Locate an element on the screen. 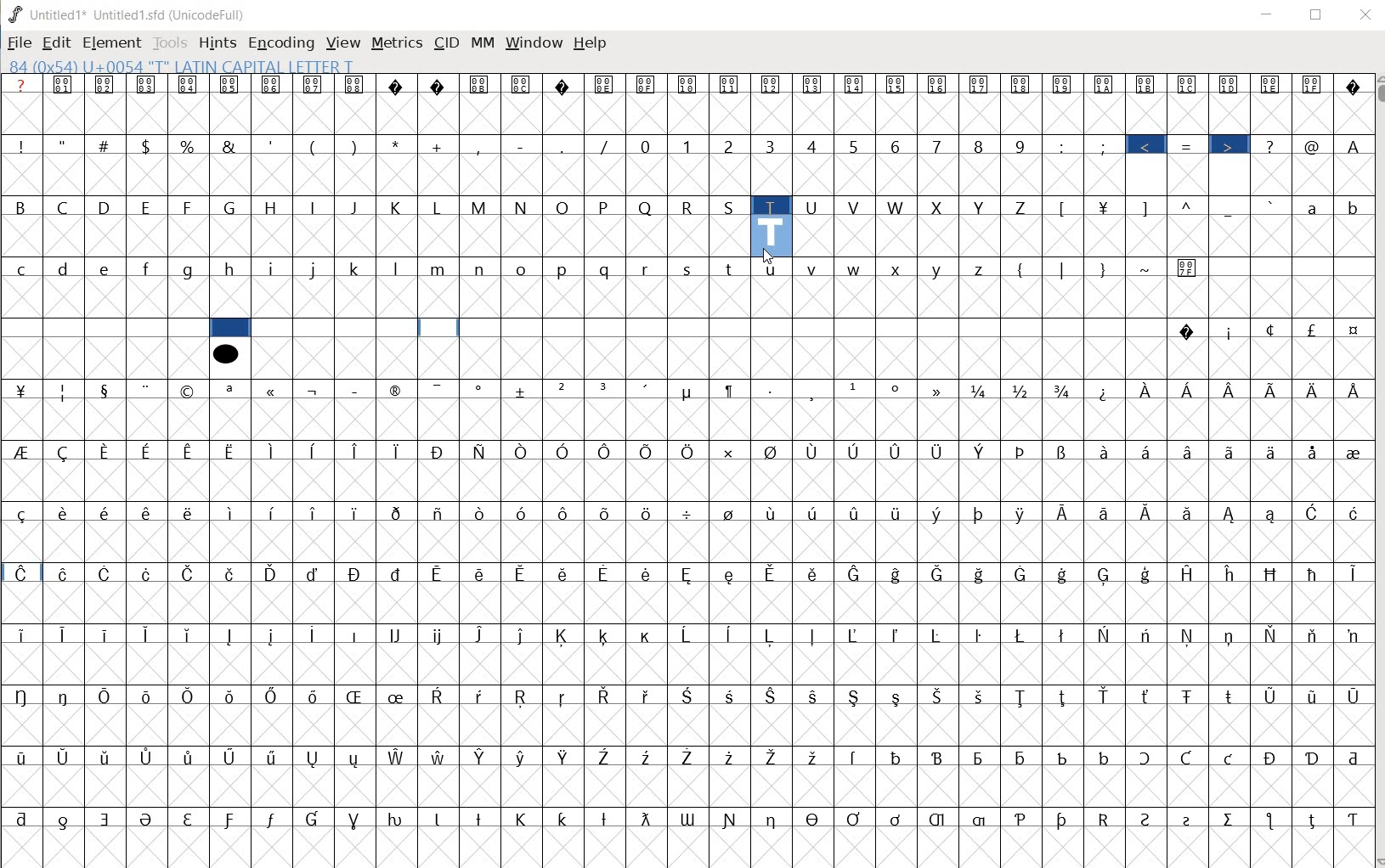 The width and height of the screenshot is (1385, 868). Symbol is located at coordinates (898, 86).